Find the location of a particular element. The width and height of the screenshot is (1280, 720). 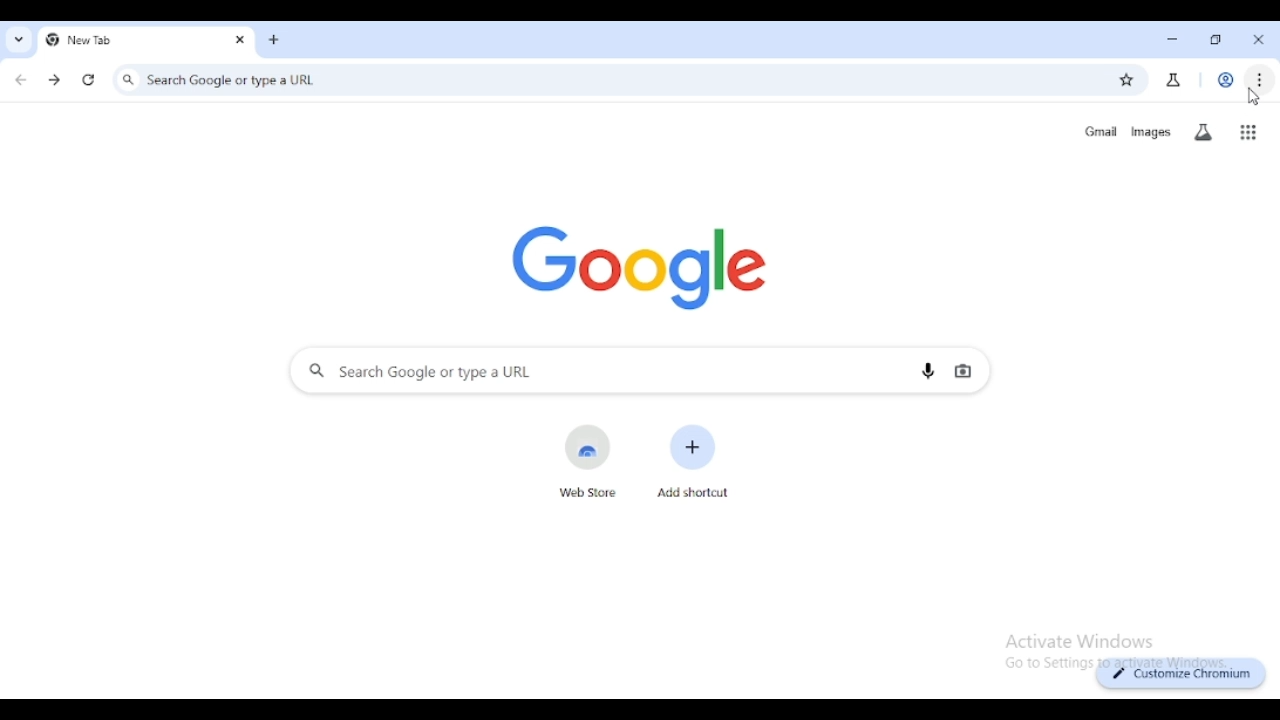

add tab is located at coordinates (274, 40).